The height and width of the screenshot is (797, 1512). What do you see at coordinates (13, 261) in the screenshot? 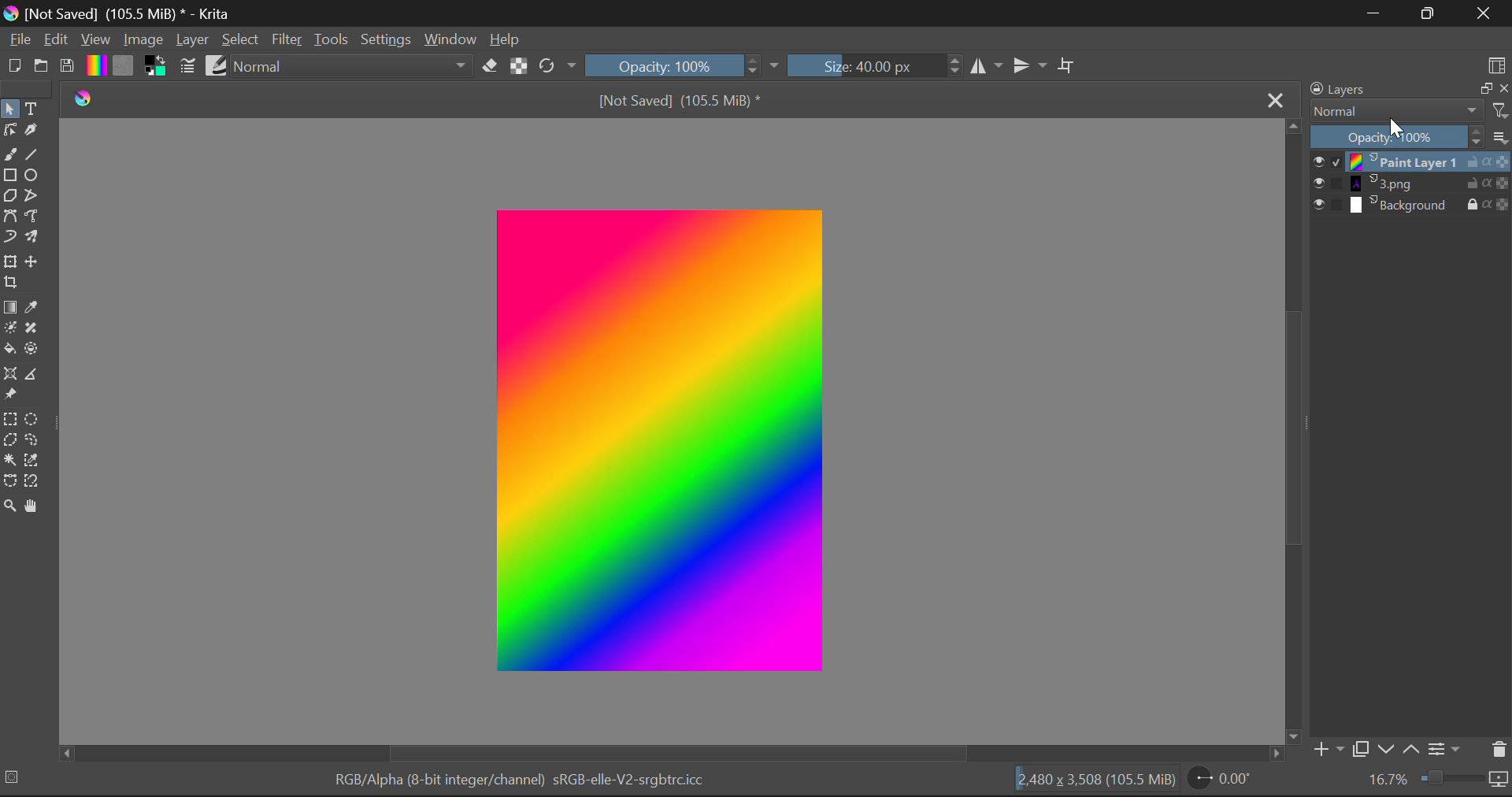
I see `Transform Layer` at bounding box center [13, 261].